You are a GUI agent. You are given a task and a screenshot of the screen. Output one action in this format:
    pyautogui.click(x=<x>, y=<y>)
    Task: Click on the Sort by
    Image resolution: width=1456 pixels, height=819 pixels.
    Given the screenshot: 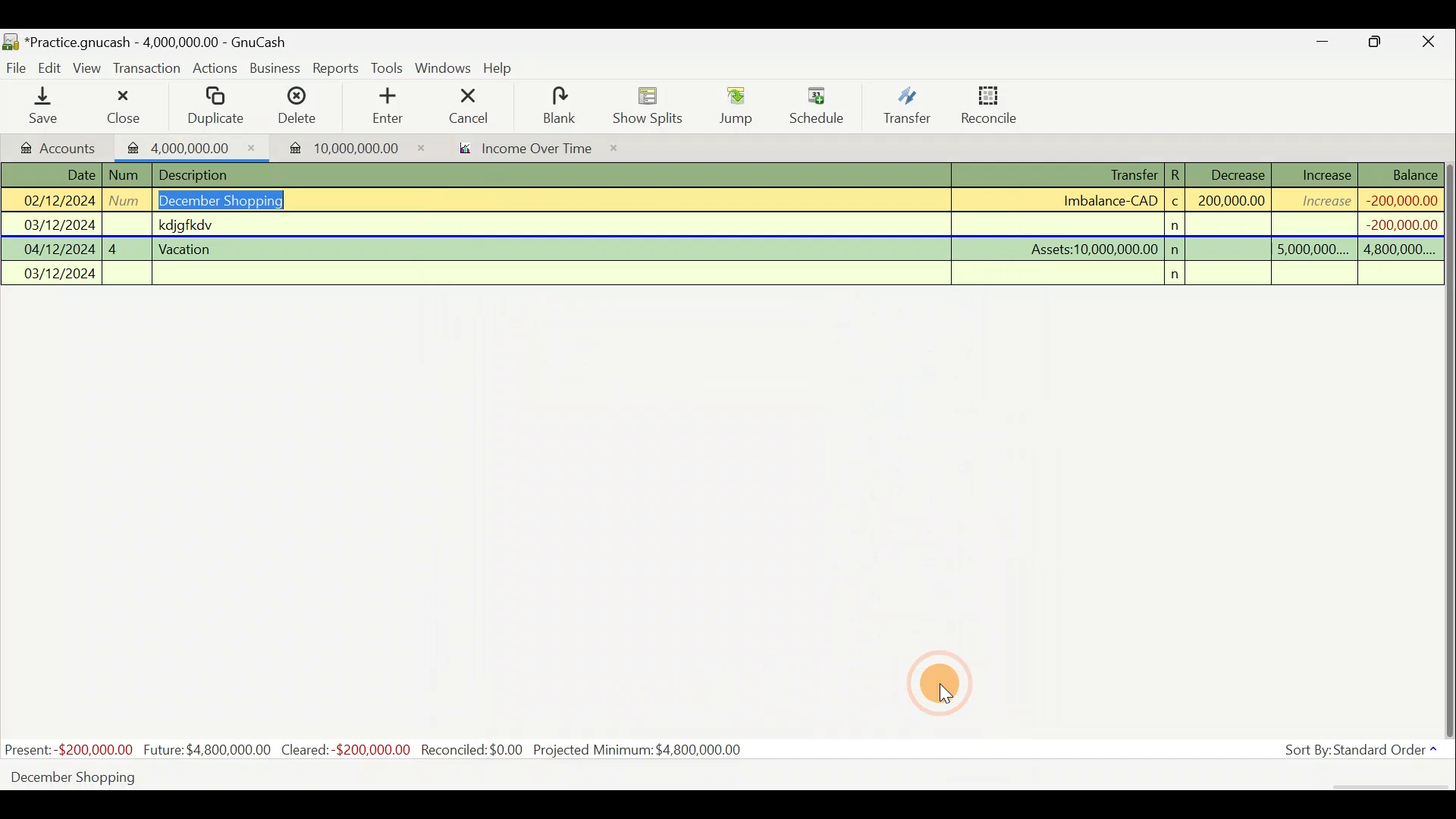 What is the action you would take?
    pyautogui.click(x=1364, y=753)
    